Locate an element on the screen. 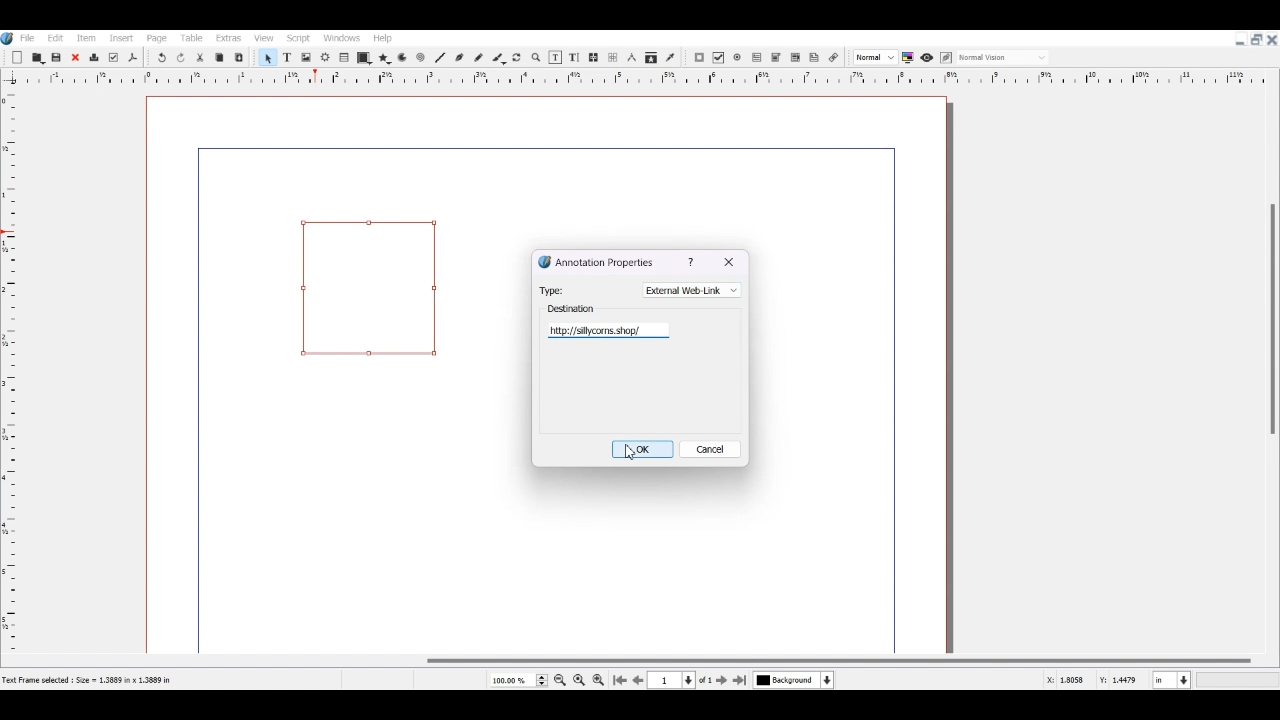  Go to Previous page is located at coordinates (638, 680).